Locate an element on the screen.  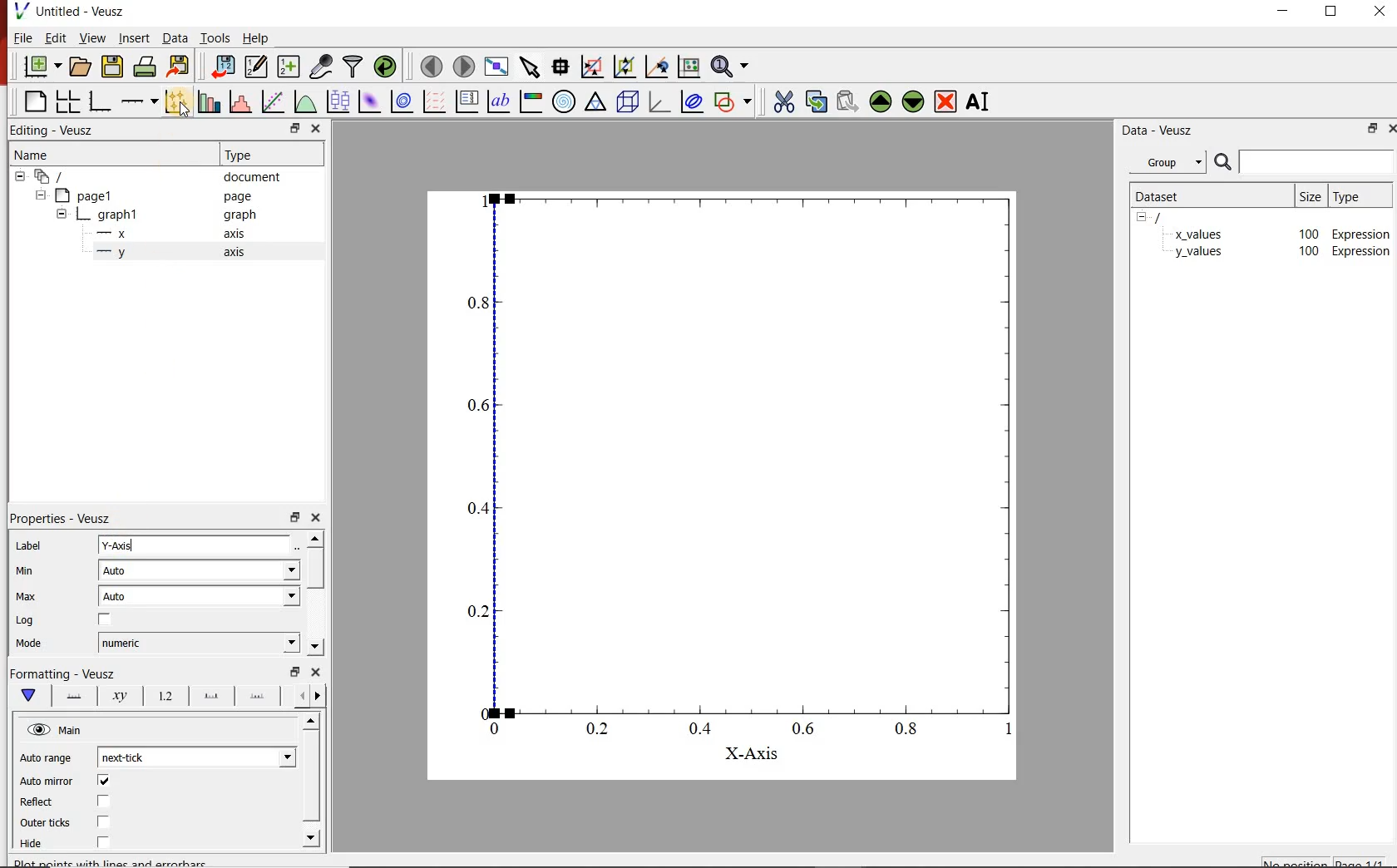
Hide is located at coordinates (32, 844).